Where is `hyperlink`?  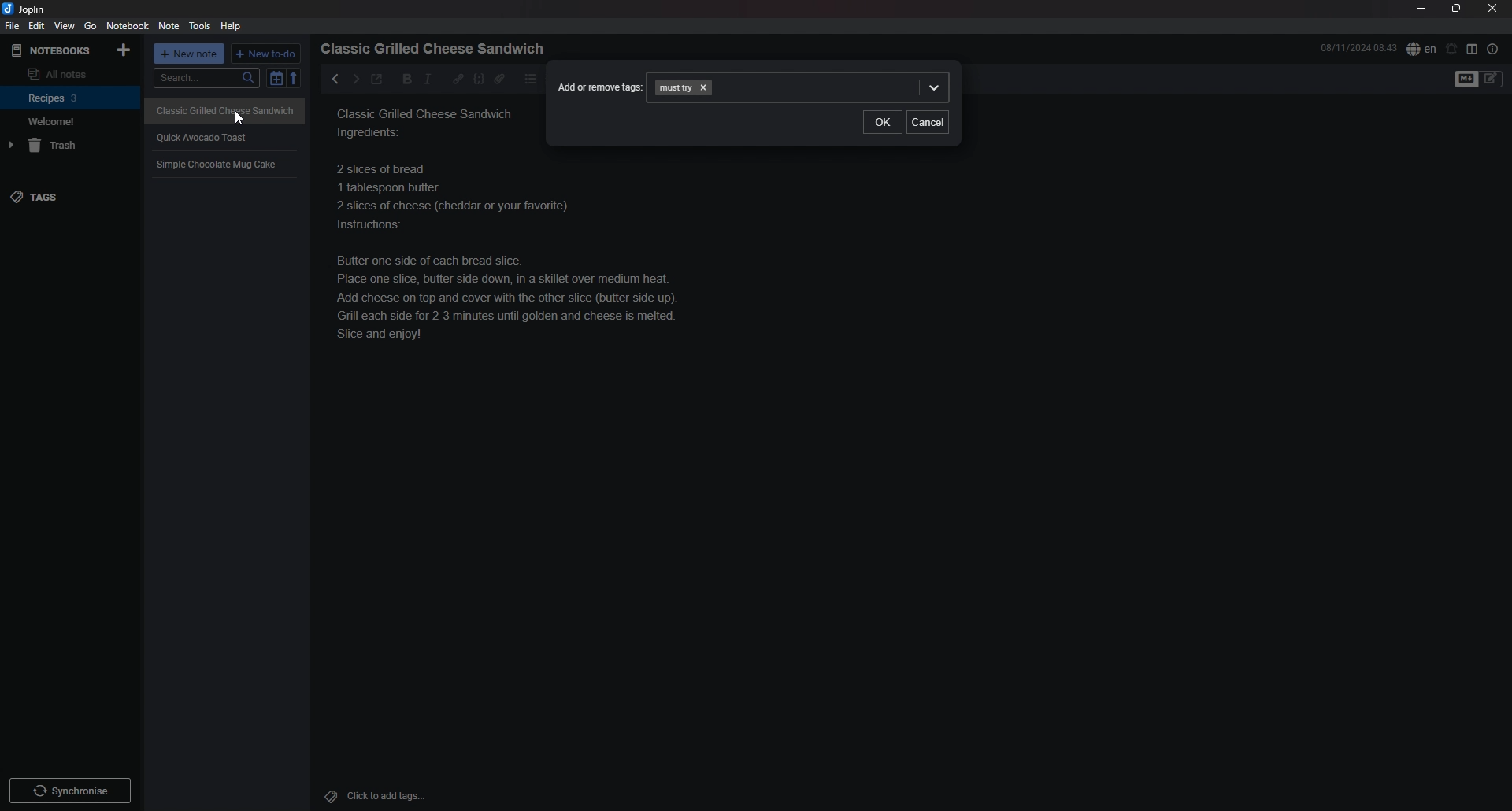
hyperlink is located at coordinates (458, 78).